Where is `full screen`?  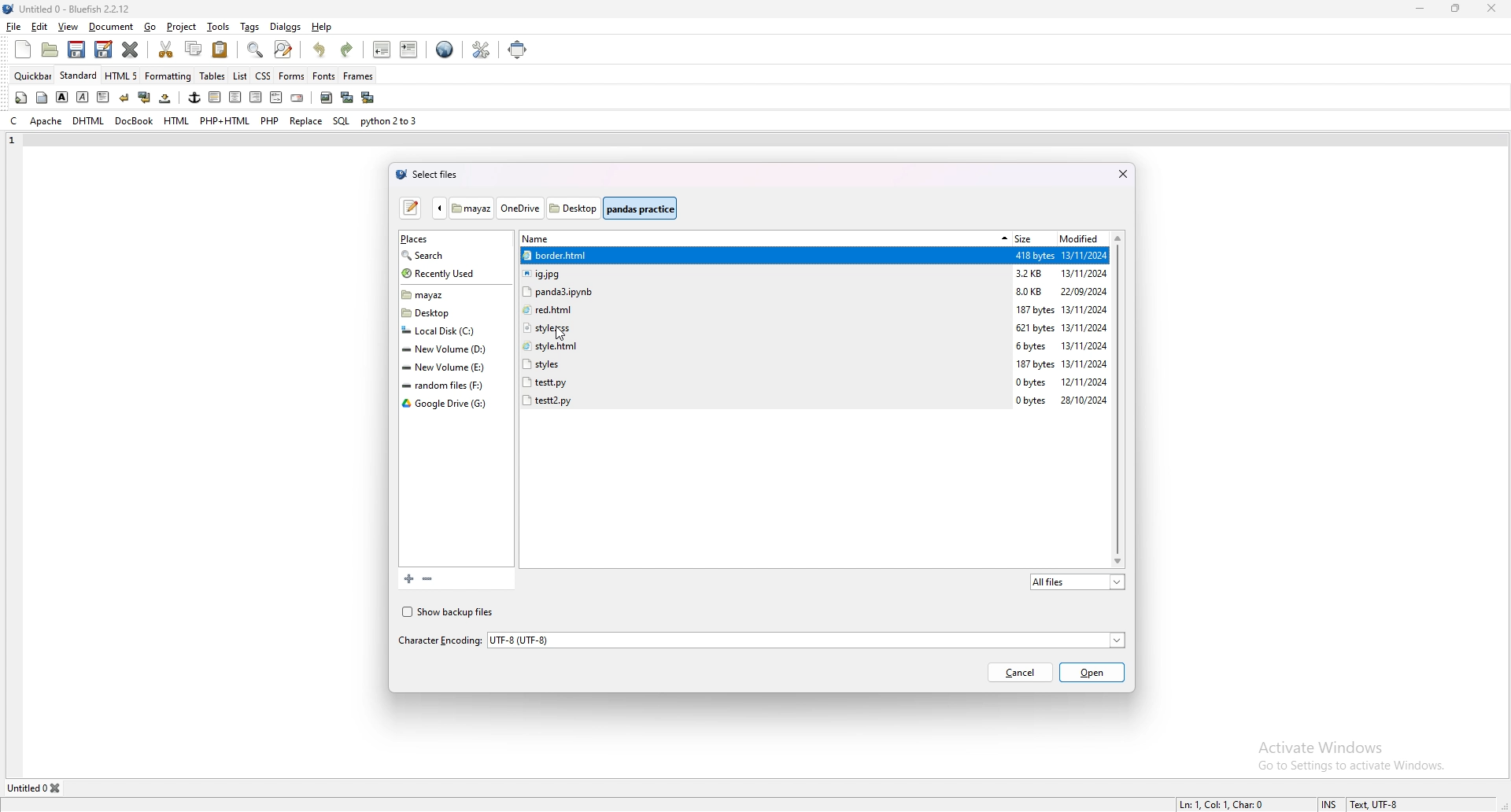
full screen is located at coordinates (518, 50).